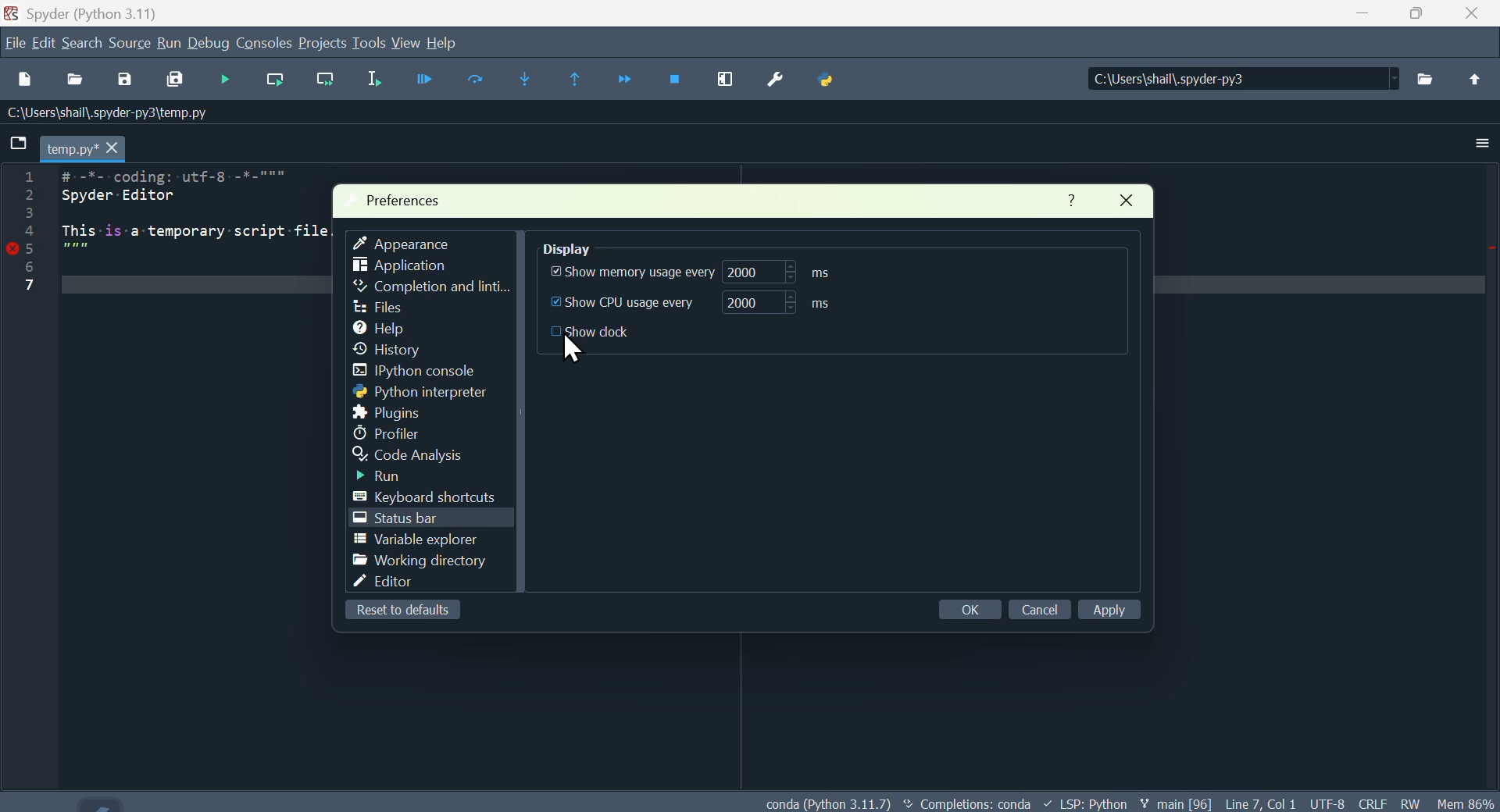  What do you see at coordinates (576, 350) in the screenshot?
I see `Cursor` at bounding box center [576, 350].